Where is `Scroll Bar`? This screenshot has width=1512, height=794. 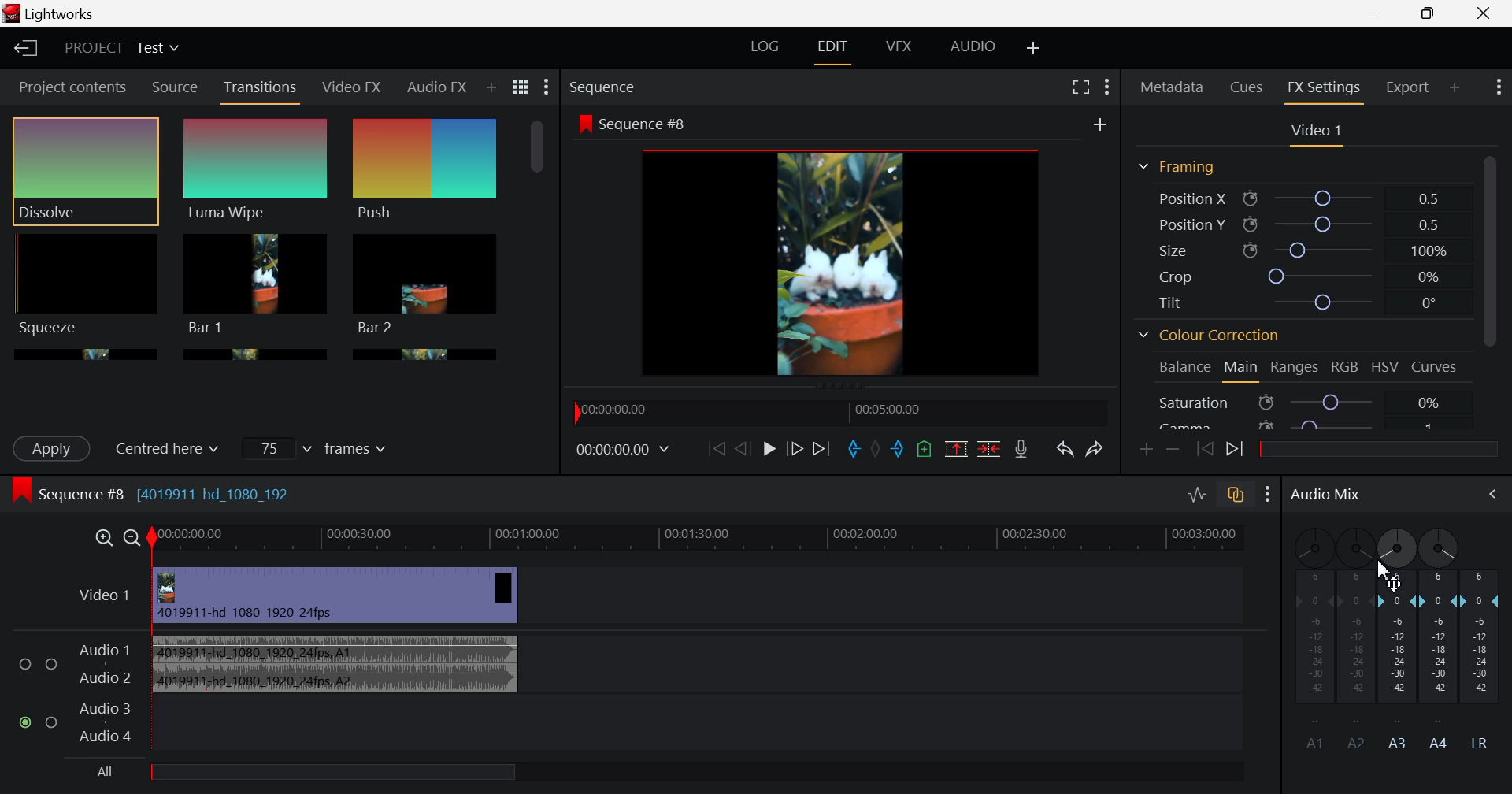
Scroll Bar is located at coordinates (1493, 291).